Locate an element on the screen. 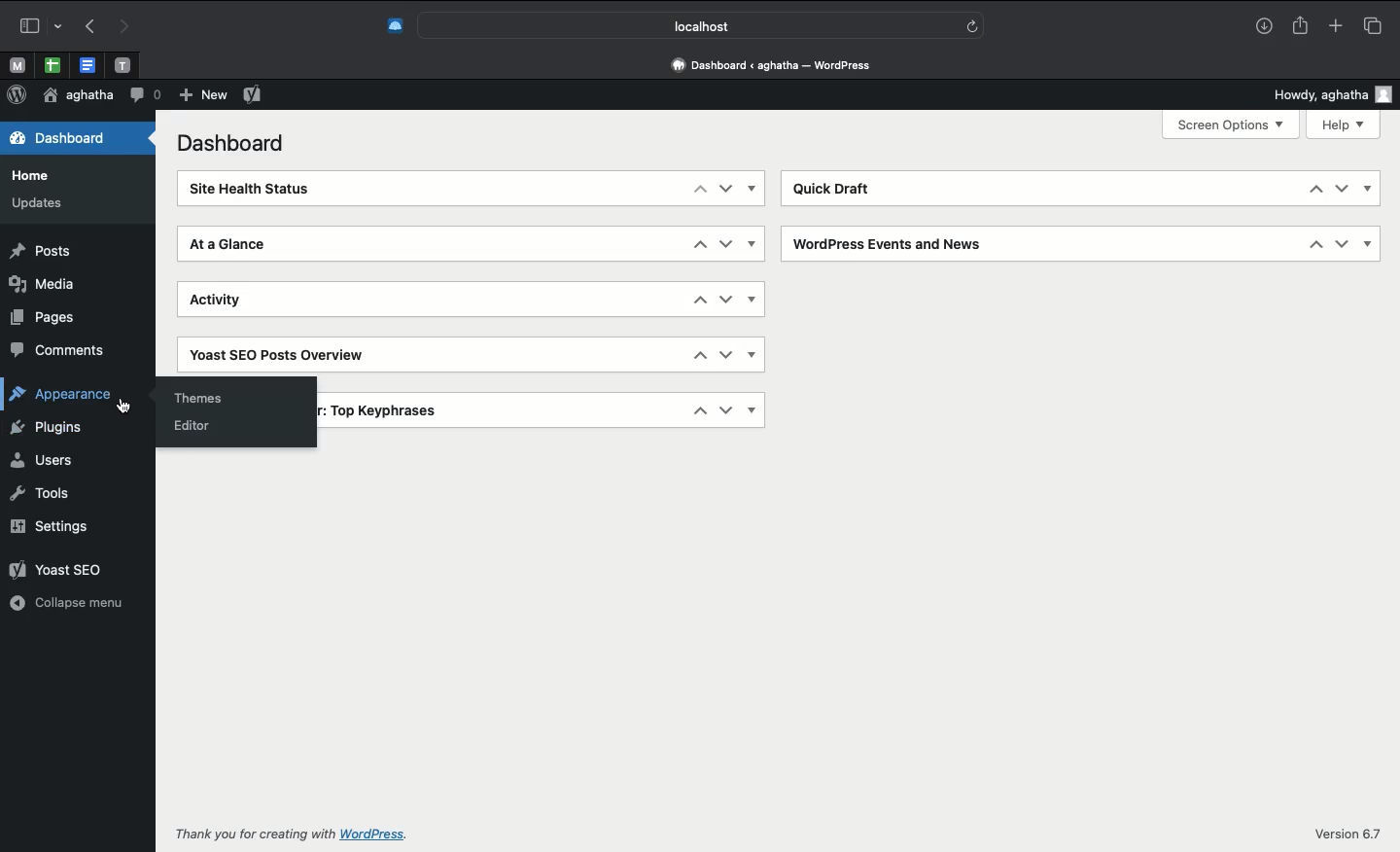 This screenshot has height=852, width=1400. Version 6.7 is located at coordinates (1350, 834).